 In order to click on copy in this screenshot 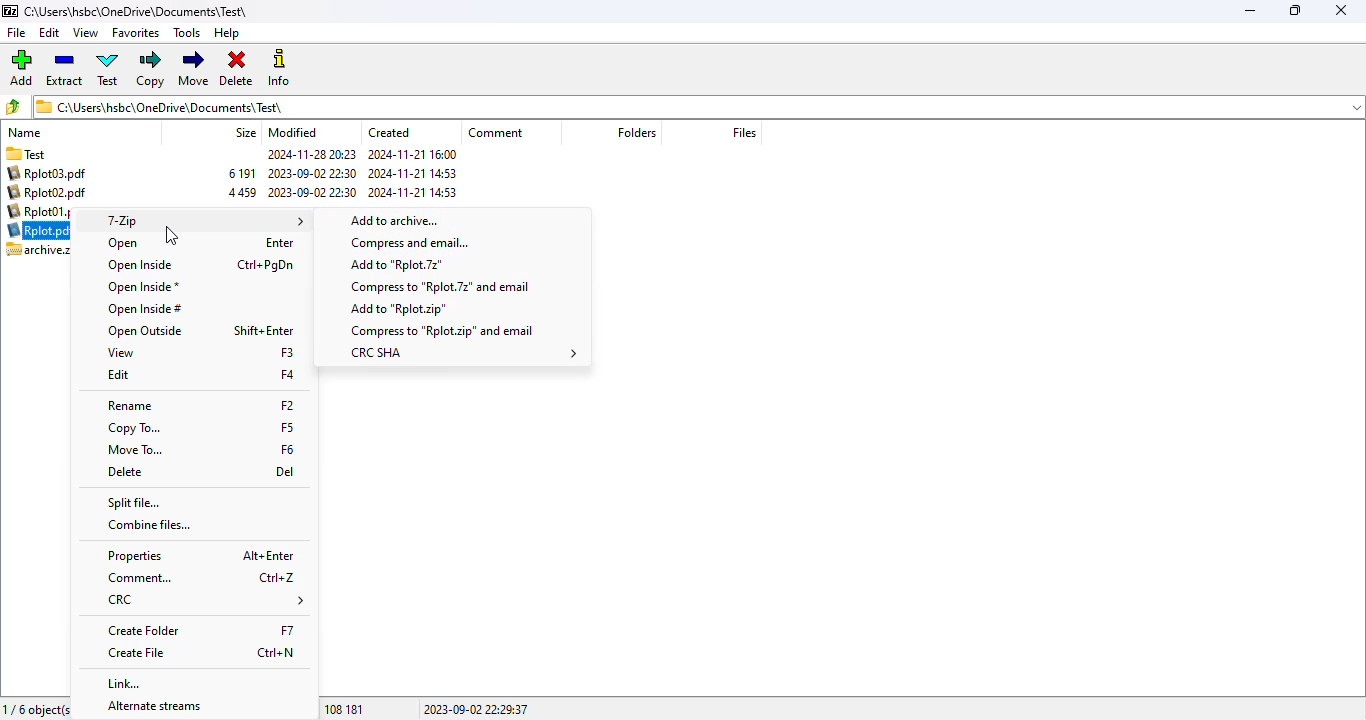, I will do `click(151, 70)`.